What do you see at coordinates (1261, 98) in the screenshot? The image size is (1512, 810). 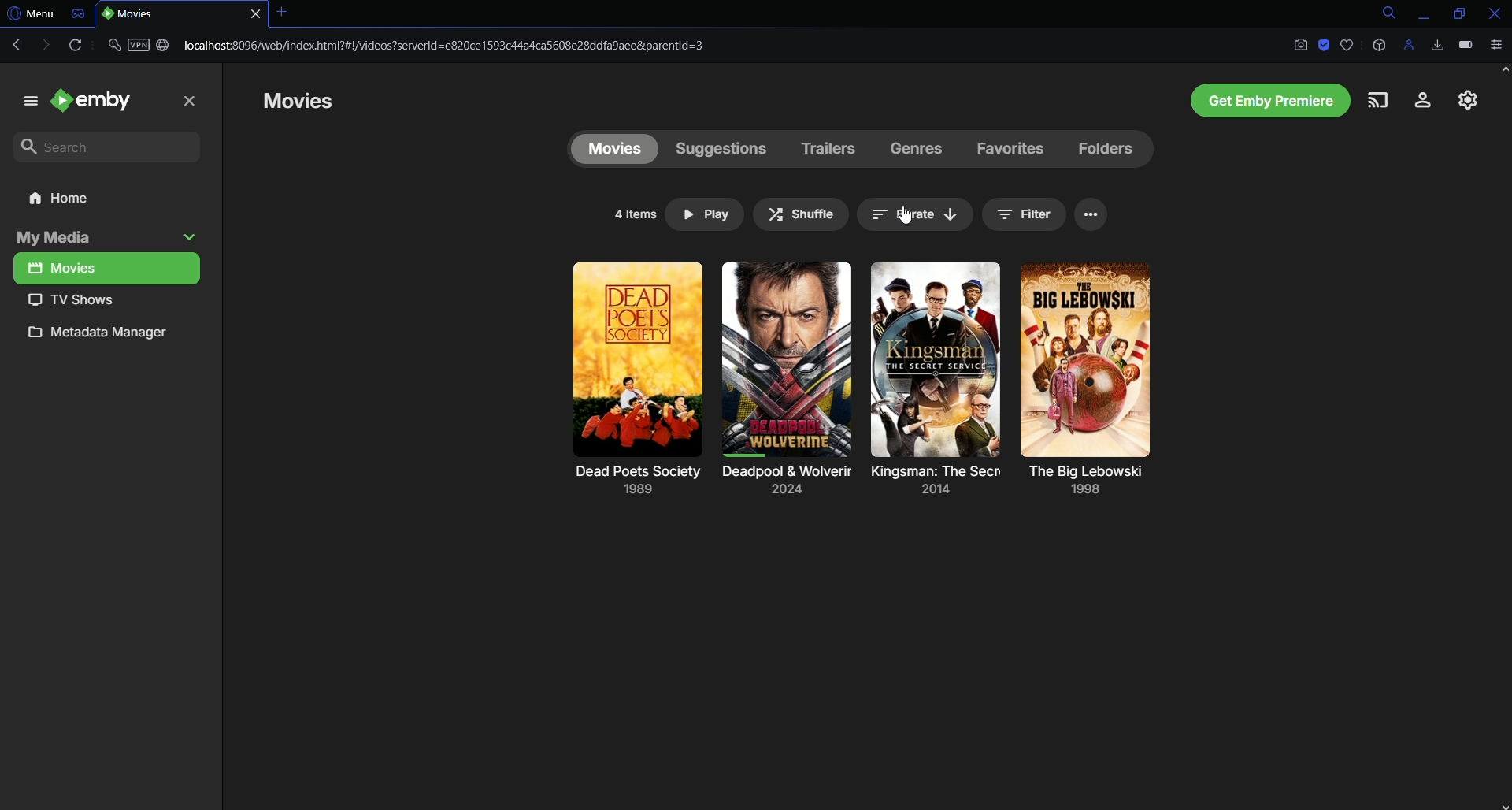 I see `Emby Premiere` at bounding box center [1261, 98].